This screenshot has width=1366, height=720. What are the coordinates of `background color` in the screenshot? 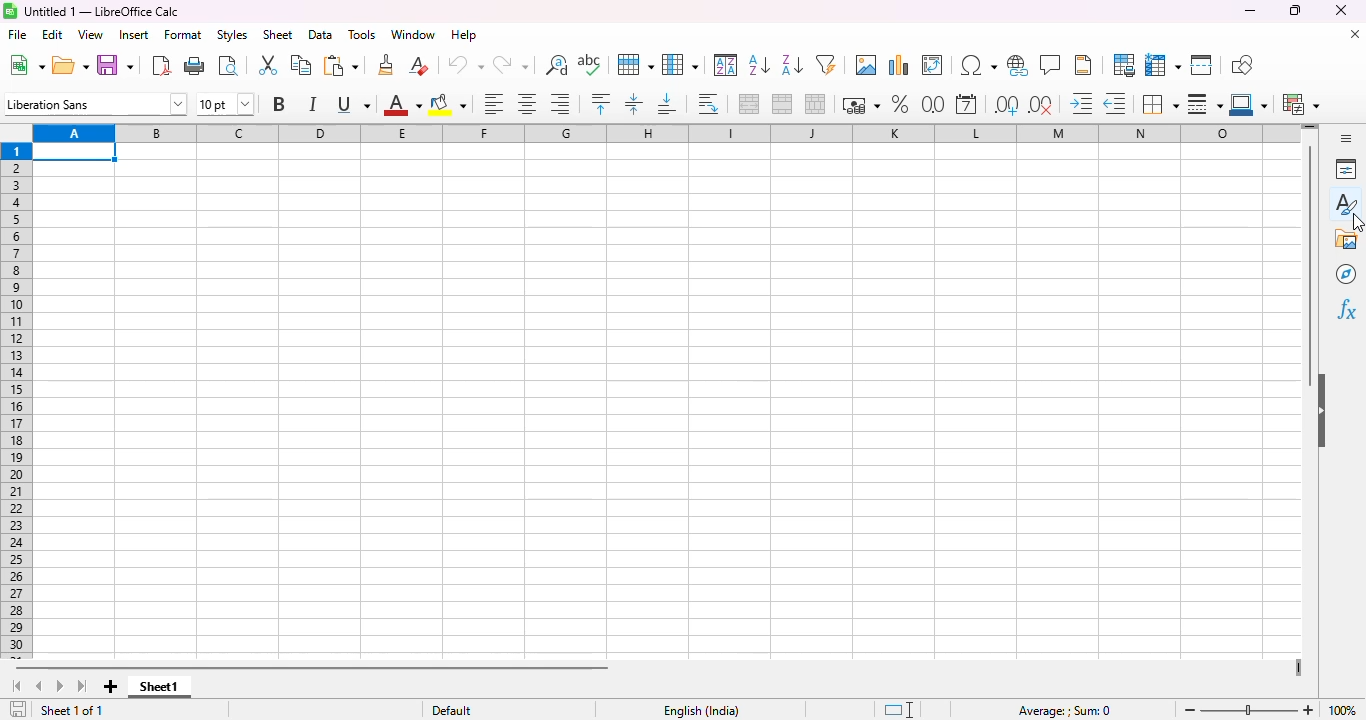 It's located at (448, 104).